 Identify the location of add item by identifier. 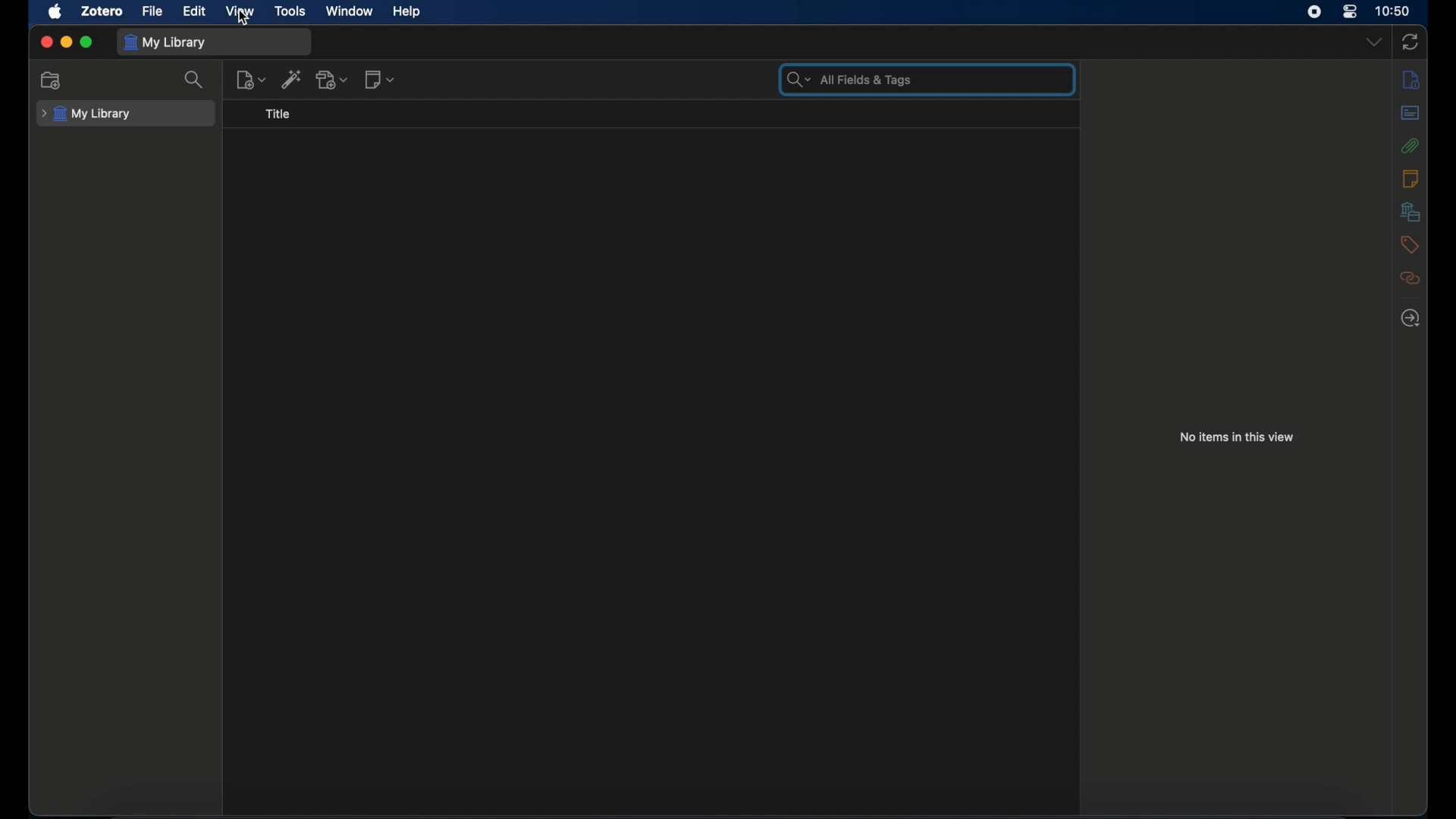
(292, 78).